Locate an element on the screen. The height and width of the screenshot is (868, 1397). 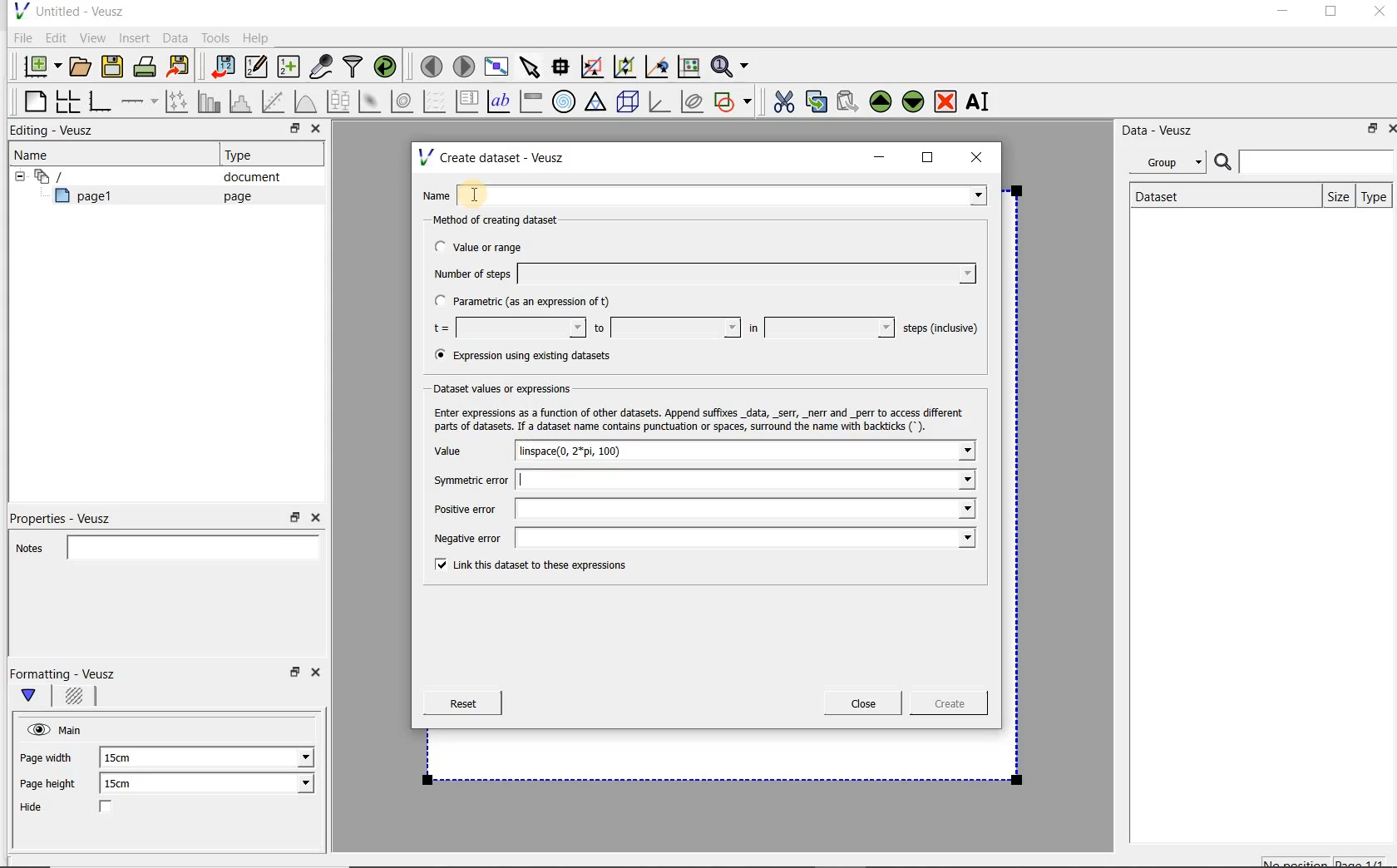
restore down is located at coordinates (290, 131).